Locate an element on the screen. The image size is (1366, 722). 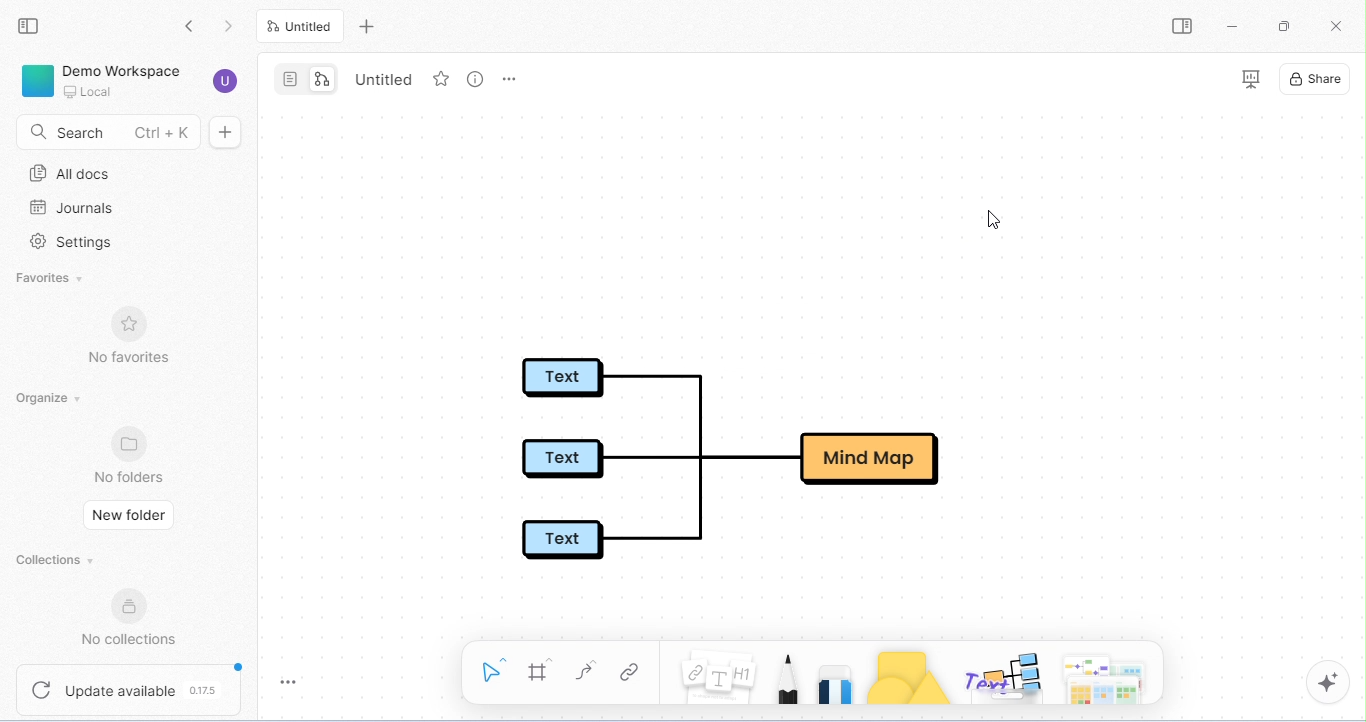
AI is located at coordinates (1328, 682).